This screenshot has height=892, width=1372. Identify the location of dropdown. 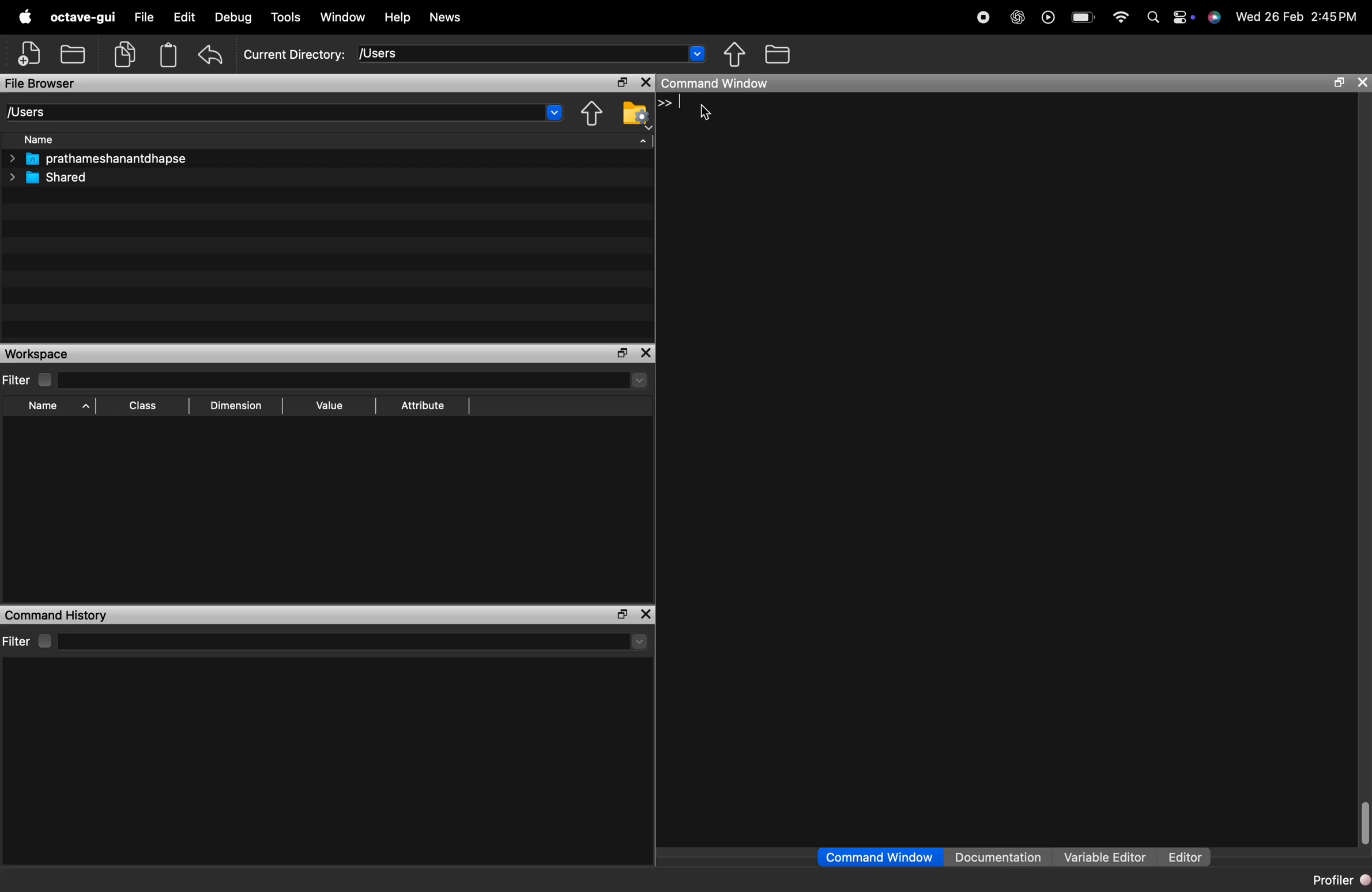
(552, 114).